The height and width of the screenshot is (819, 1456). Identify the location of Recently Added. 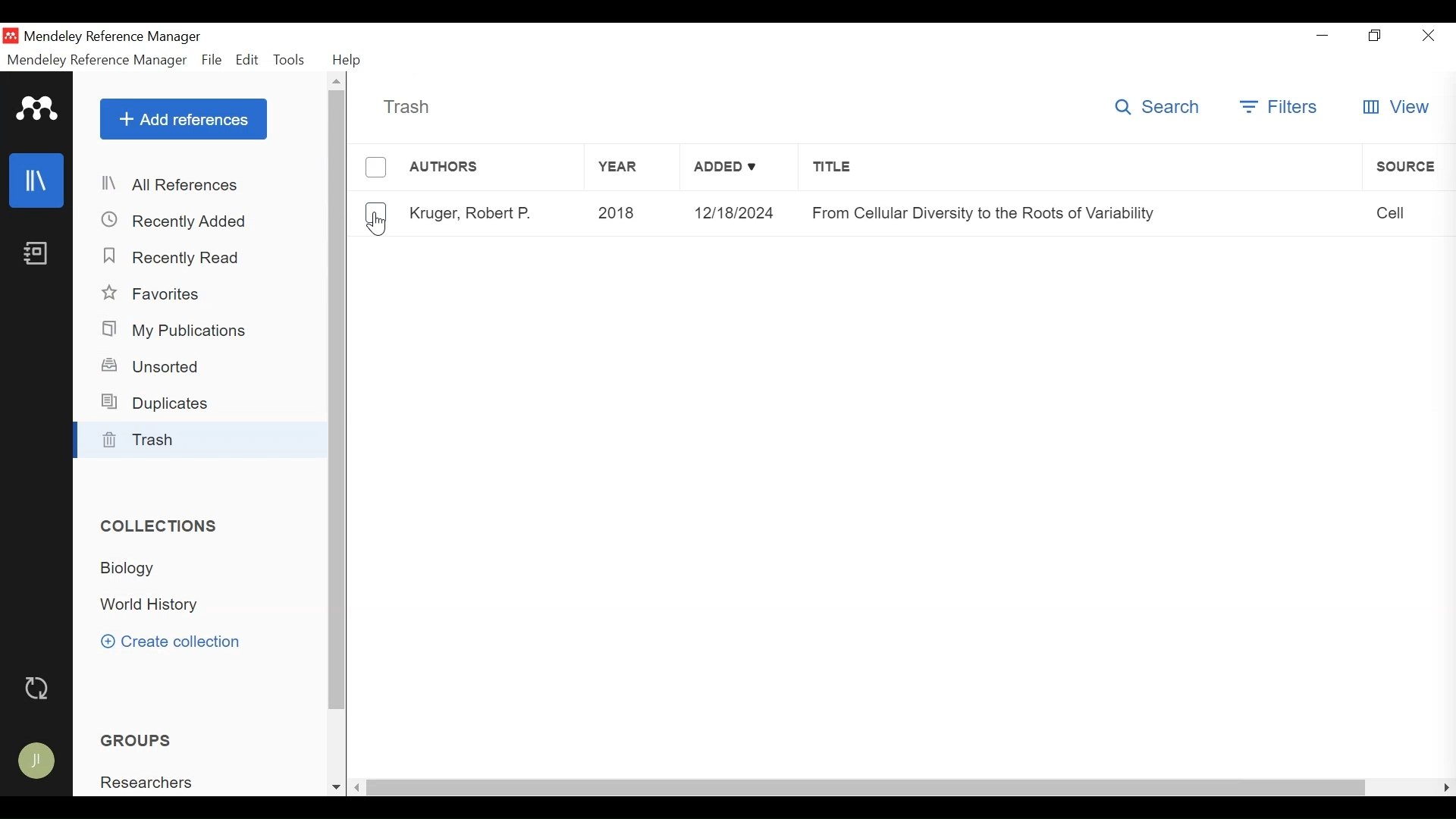
(180, 221).